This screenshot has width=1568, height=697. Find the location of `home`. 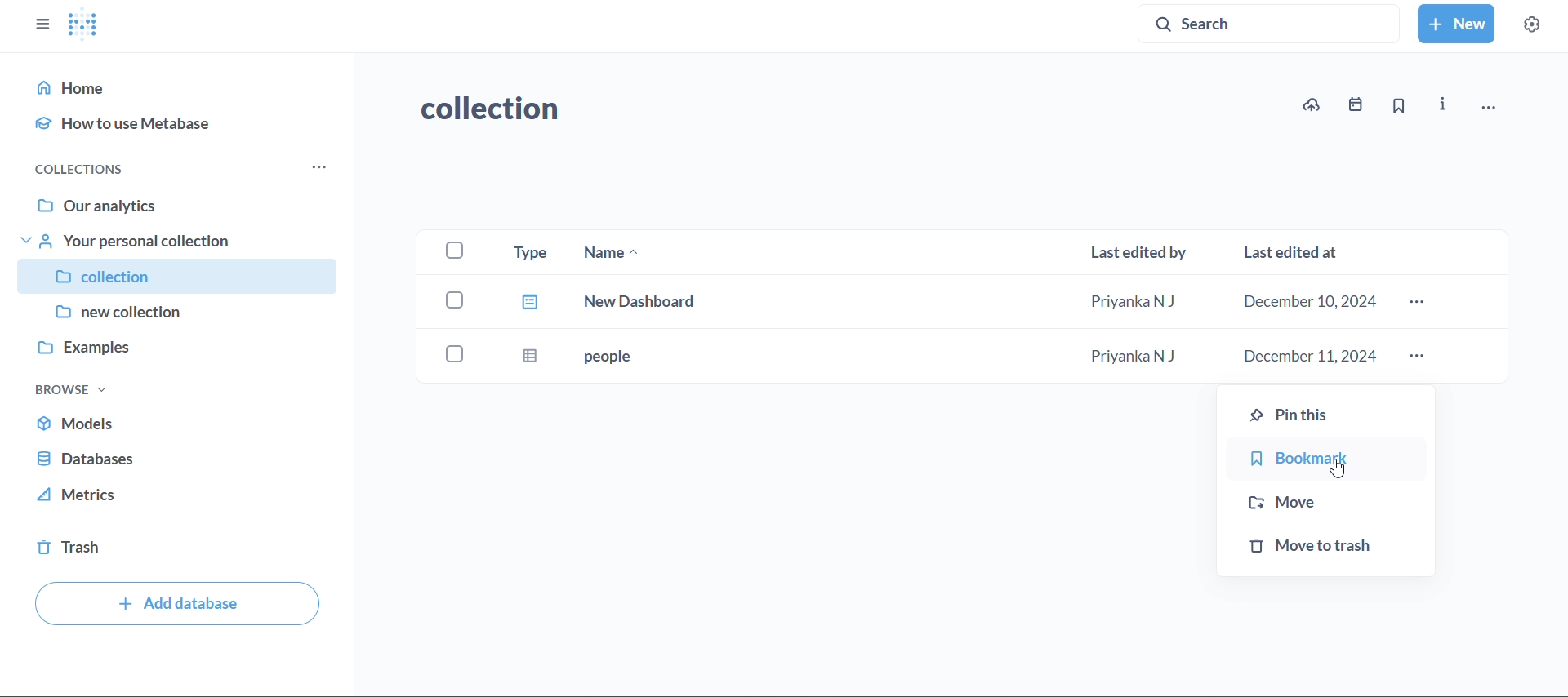

home is located at coordinates (179, 87).